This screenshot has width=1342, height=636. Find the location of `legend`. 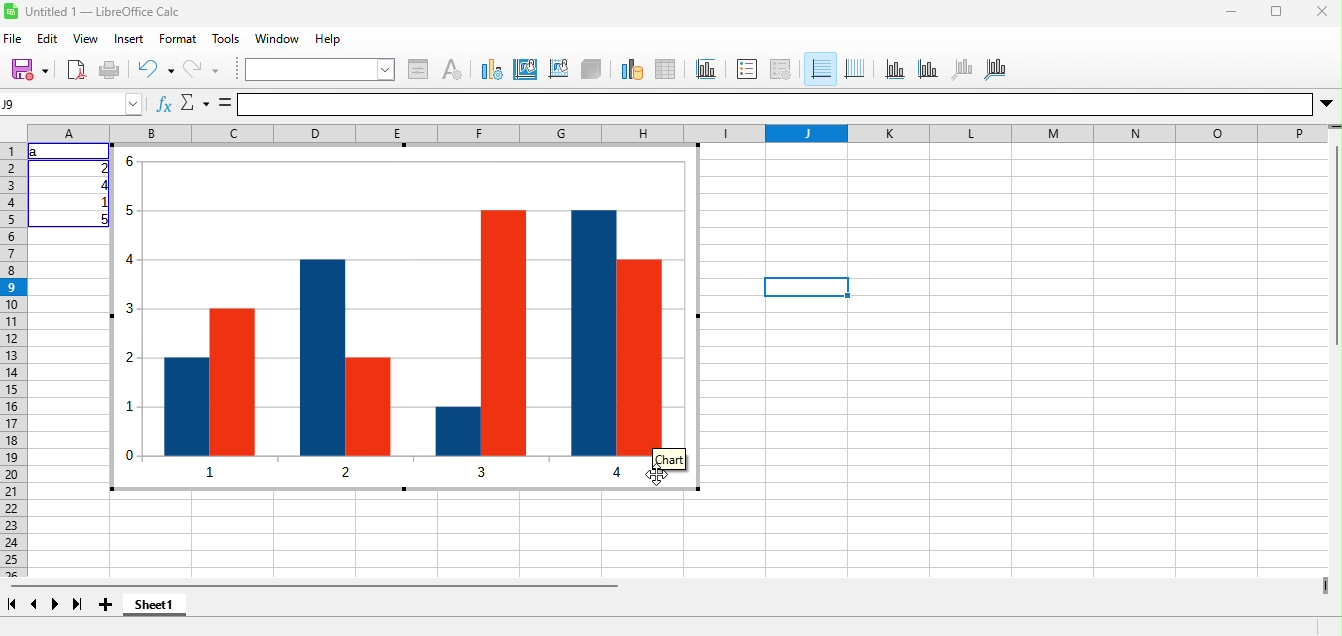

legend is located at coordinates (781, 70).